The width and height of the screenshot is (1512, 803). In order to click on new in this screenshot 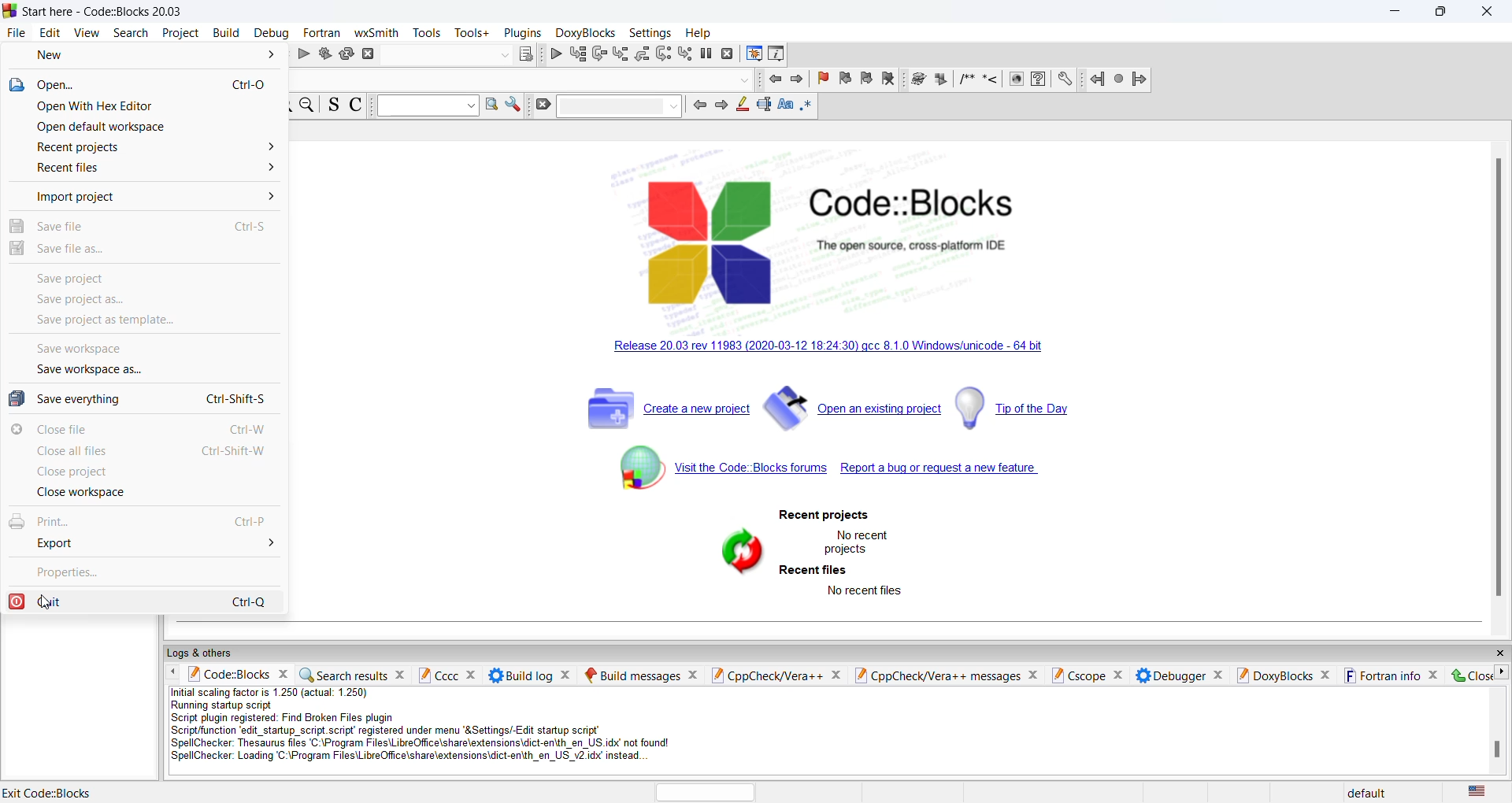, I will do `click(150, 54)`.